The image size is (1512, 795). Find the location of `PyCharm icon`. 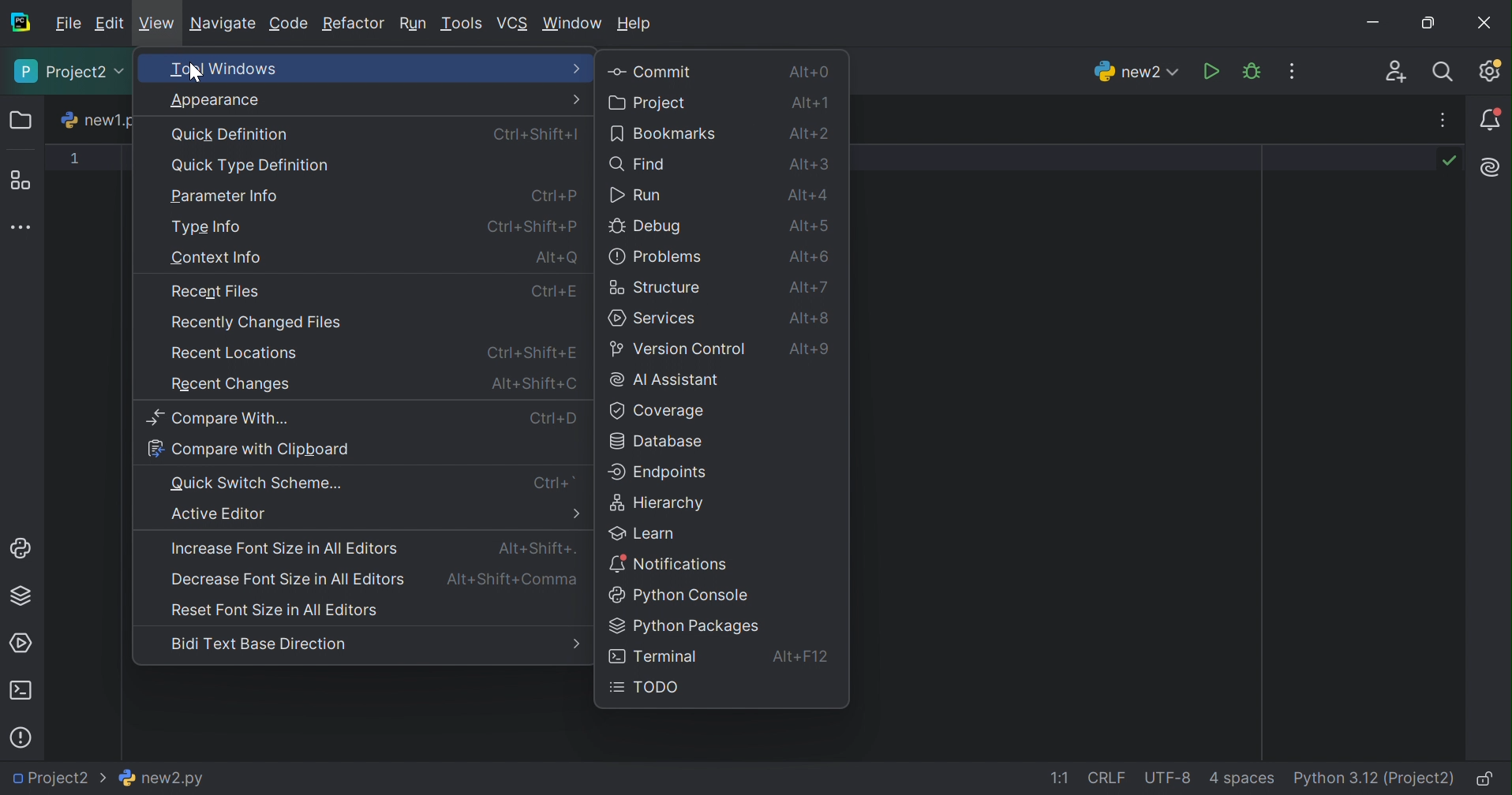

PyCharm icon is located at coordinates (17, 21).